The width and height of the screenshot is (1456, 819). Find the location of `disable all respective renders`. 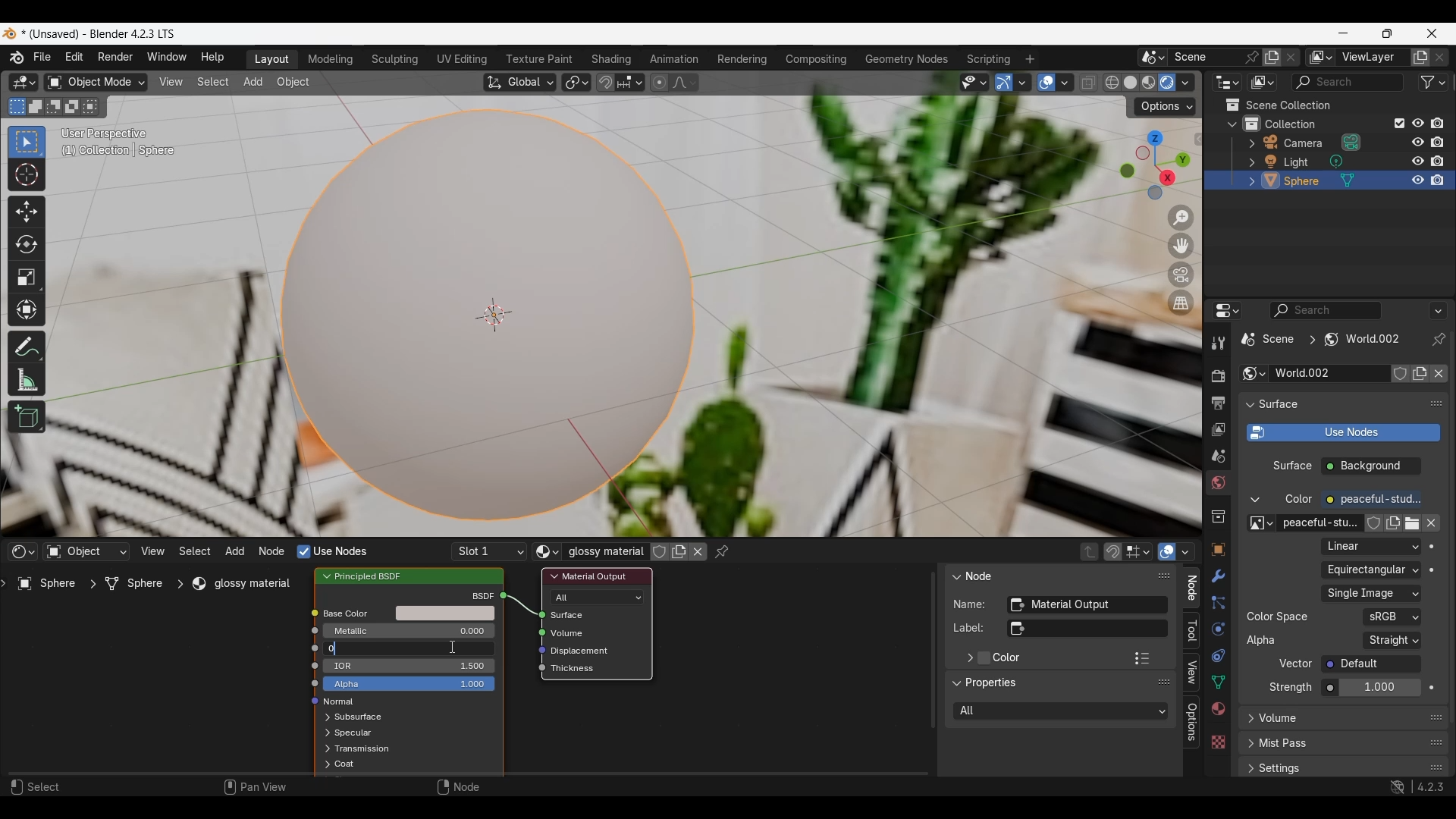

disable all respective renders is located at coordinates (1442, 143).